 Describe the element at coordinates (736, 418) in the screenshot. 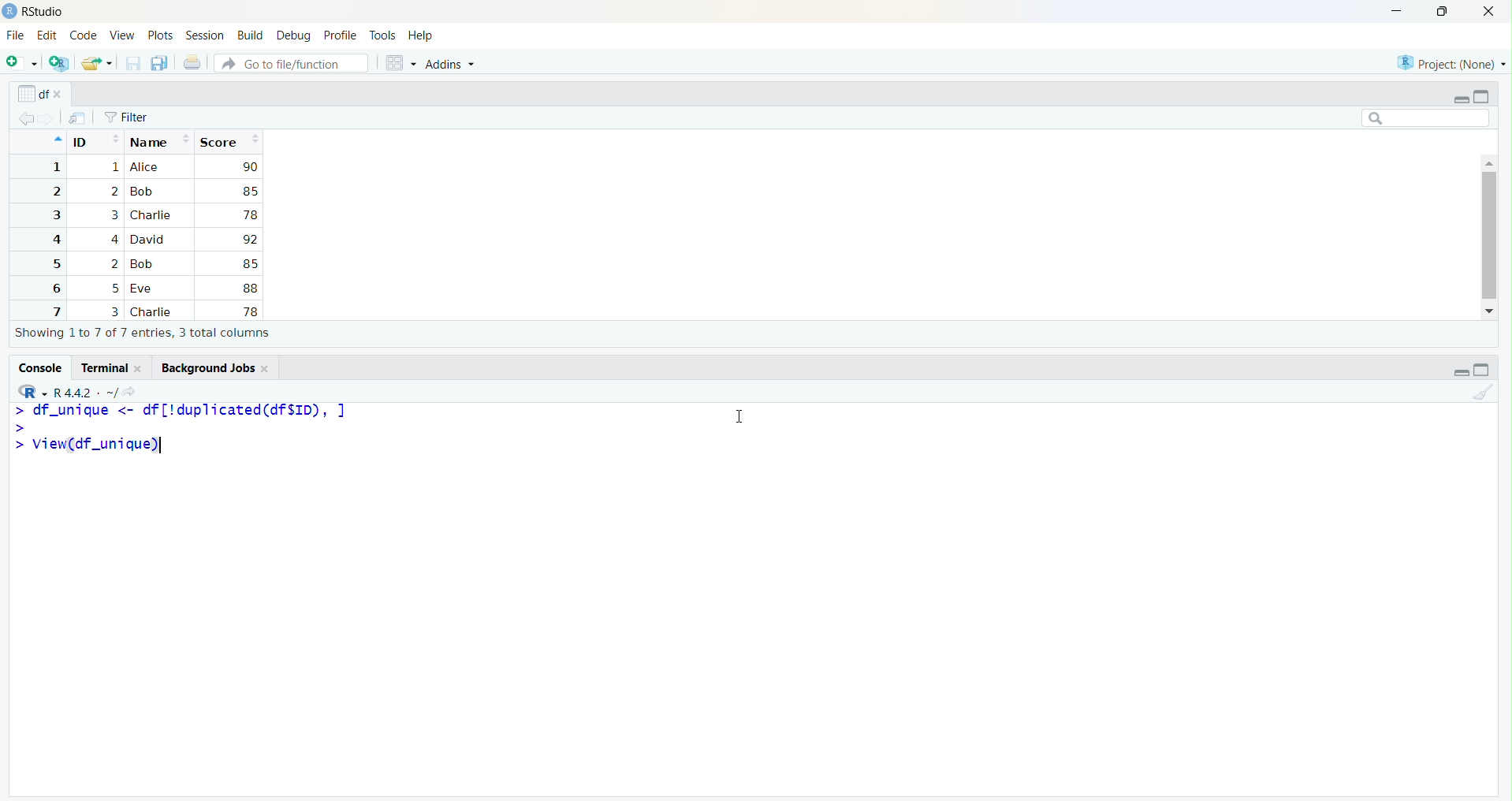

I see `cursor` at that location.